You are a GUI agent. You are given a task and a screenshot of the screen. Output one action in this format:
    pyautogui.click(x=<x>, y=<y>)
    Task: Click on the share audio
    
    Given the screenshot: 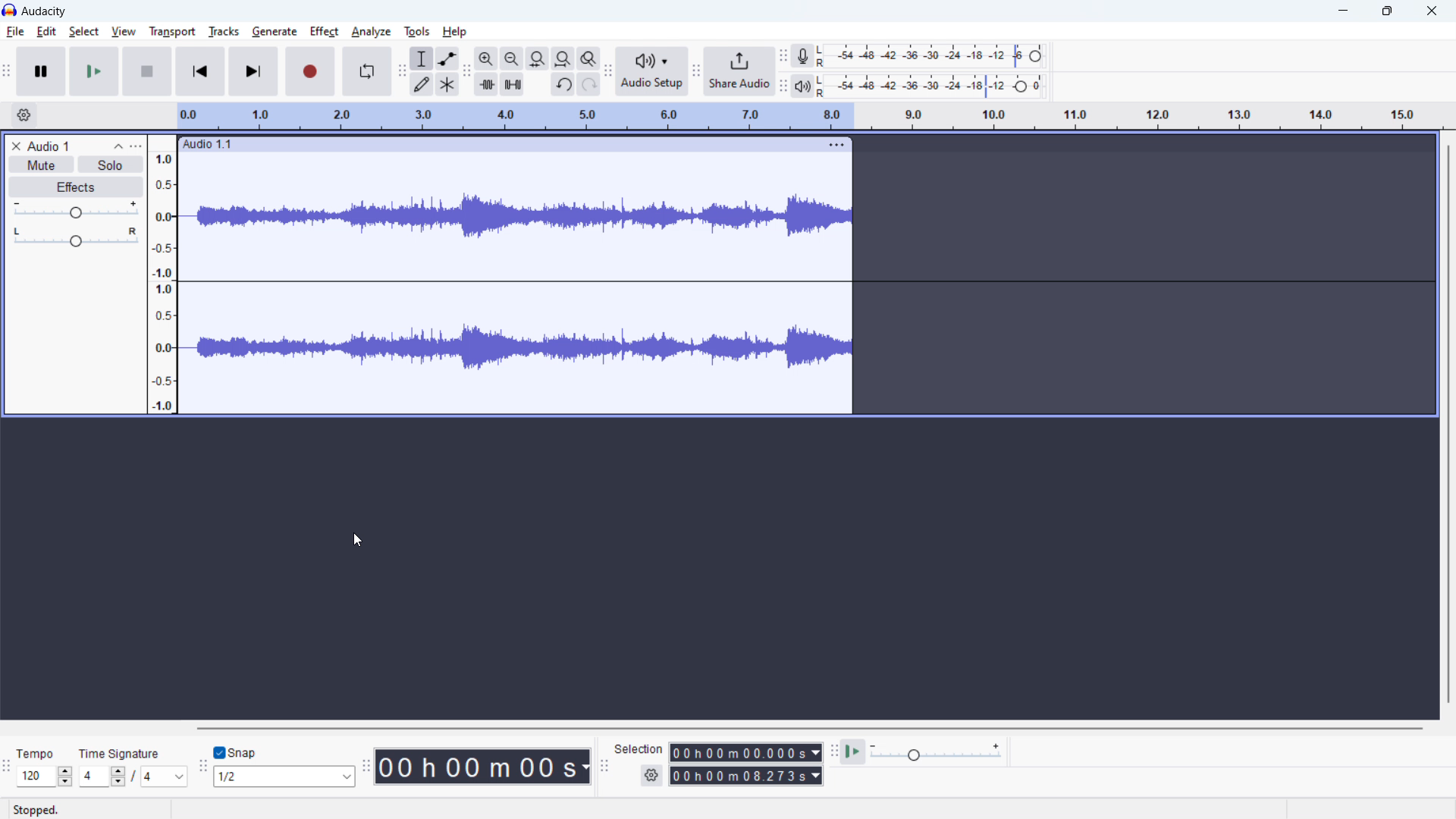 What is the action you would take?
    pyautogui.click(x=740, y=71)
    